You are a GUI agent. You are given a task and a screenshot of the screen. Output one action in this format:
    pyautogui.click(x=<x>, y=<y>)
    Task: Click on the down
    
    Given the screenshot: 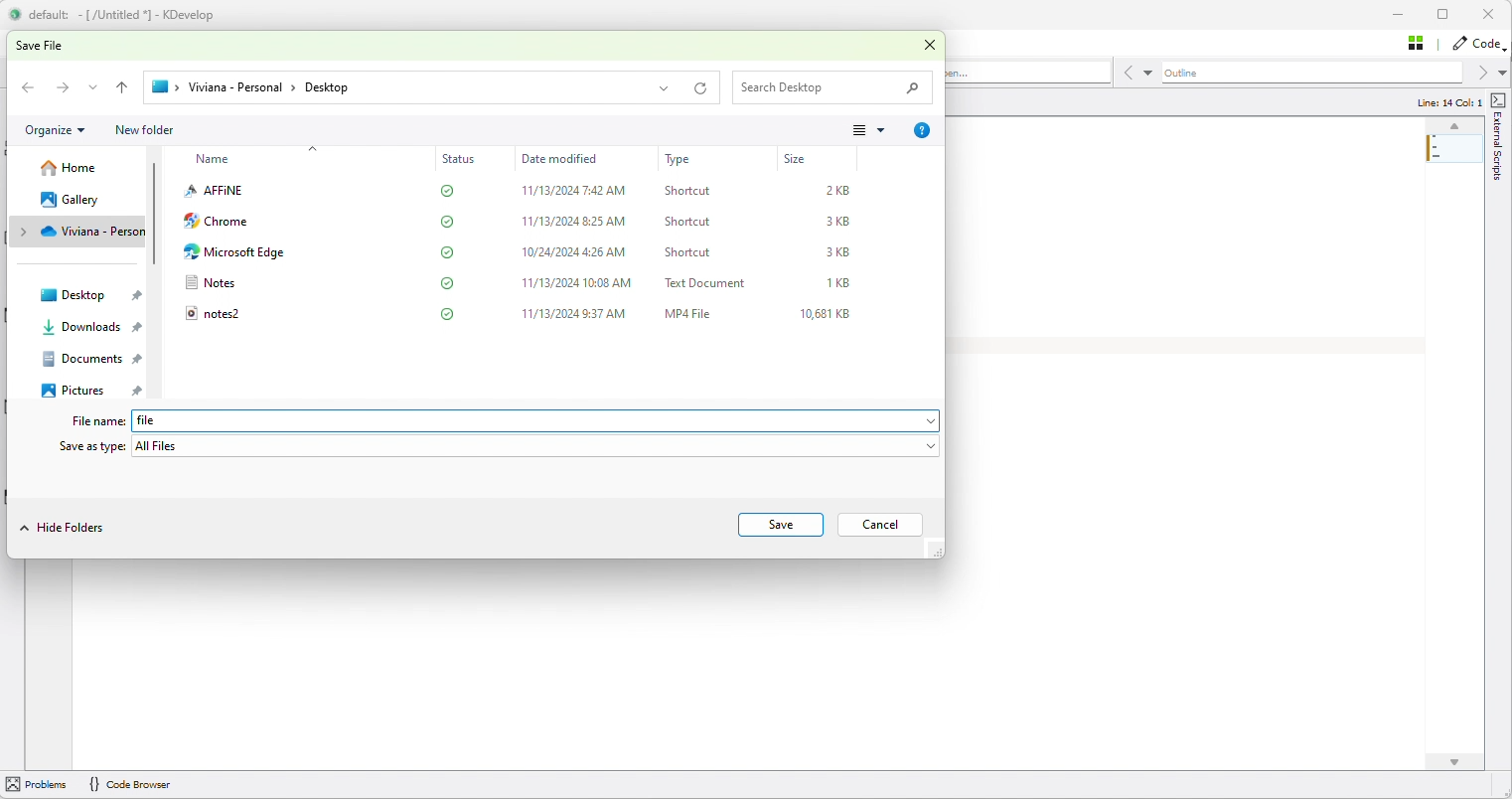 What is the action you would take?
    pyautogui.click(x=1453, y=762)
    